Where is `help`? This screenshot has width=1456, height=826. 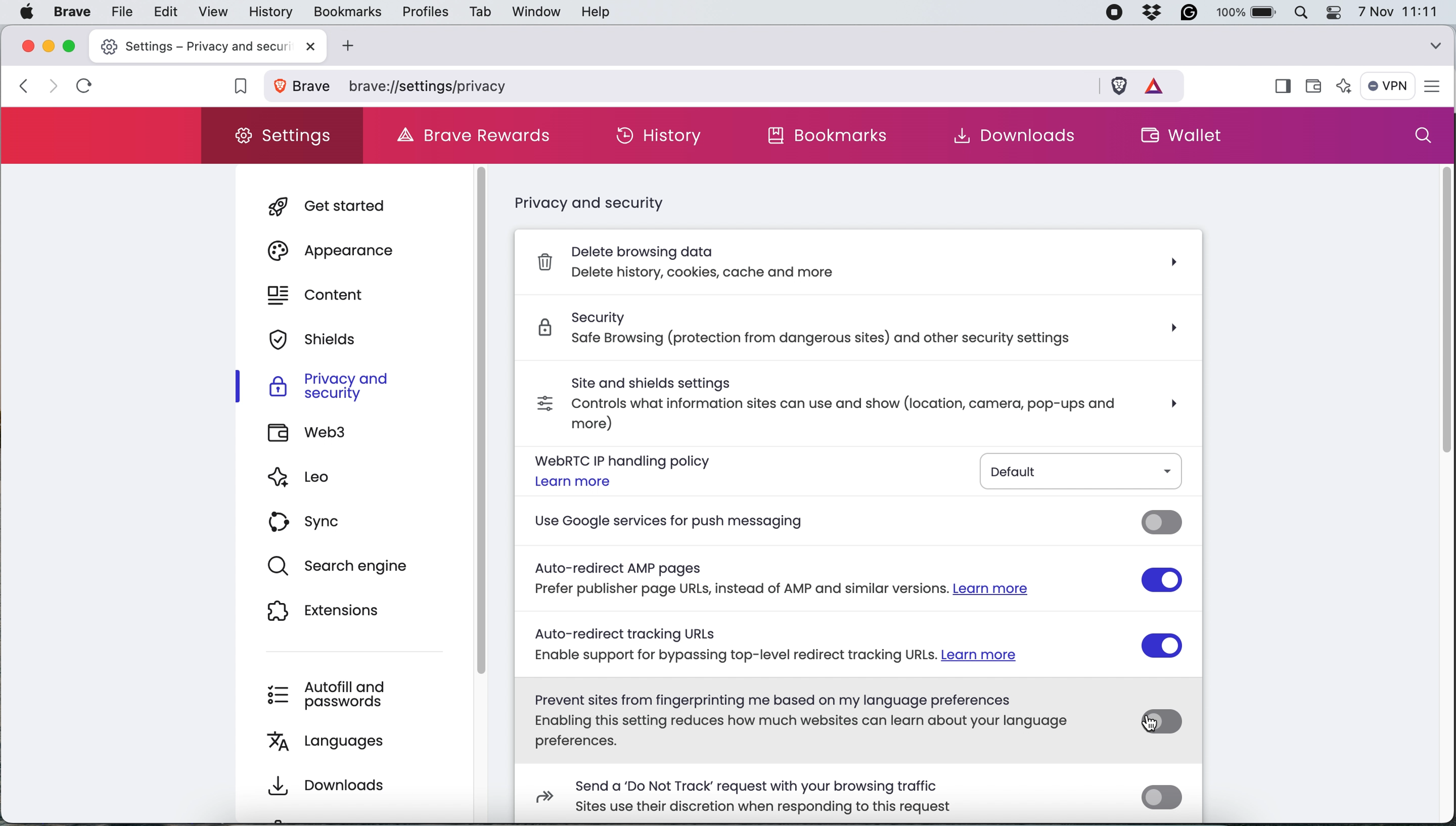 help is located at coordinates (596, 13).